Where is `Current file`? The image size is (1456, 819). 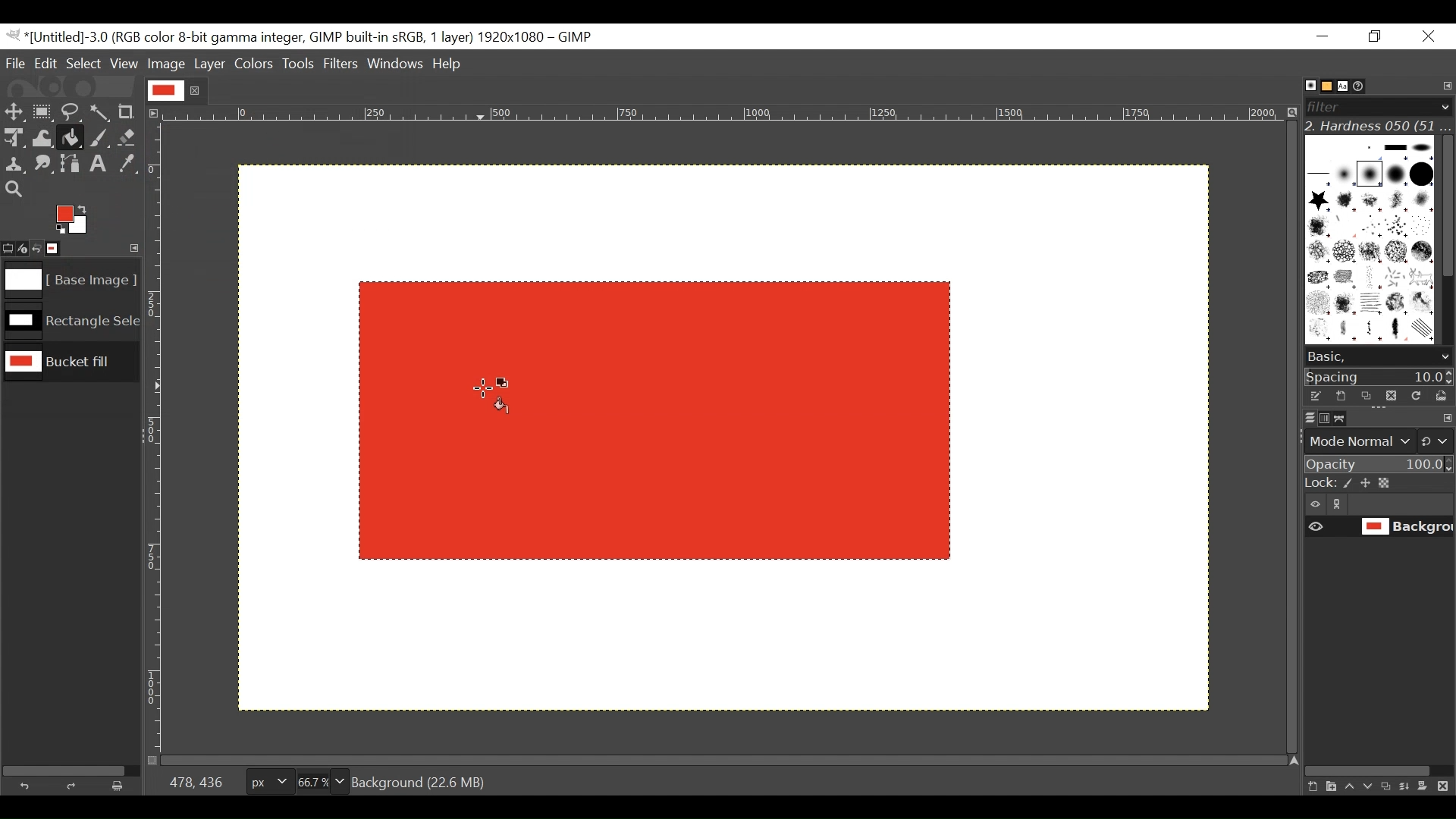 Current file is located at coordinates (165, 90).